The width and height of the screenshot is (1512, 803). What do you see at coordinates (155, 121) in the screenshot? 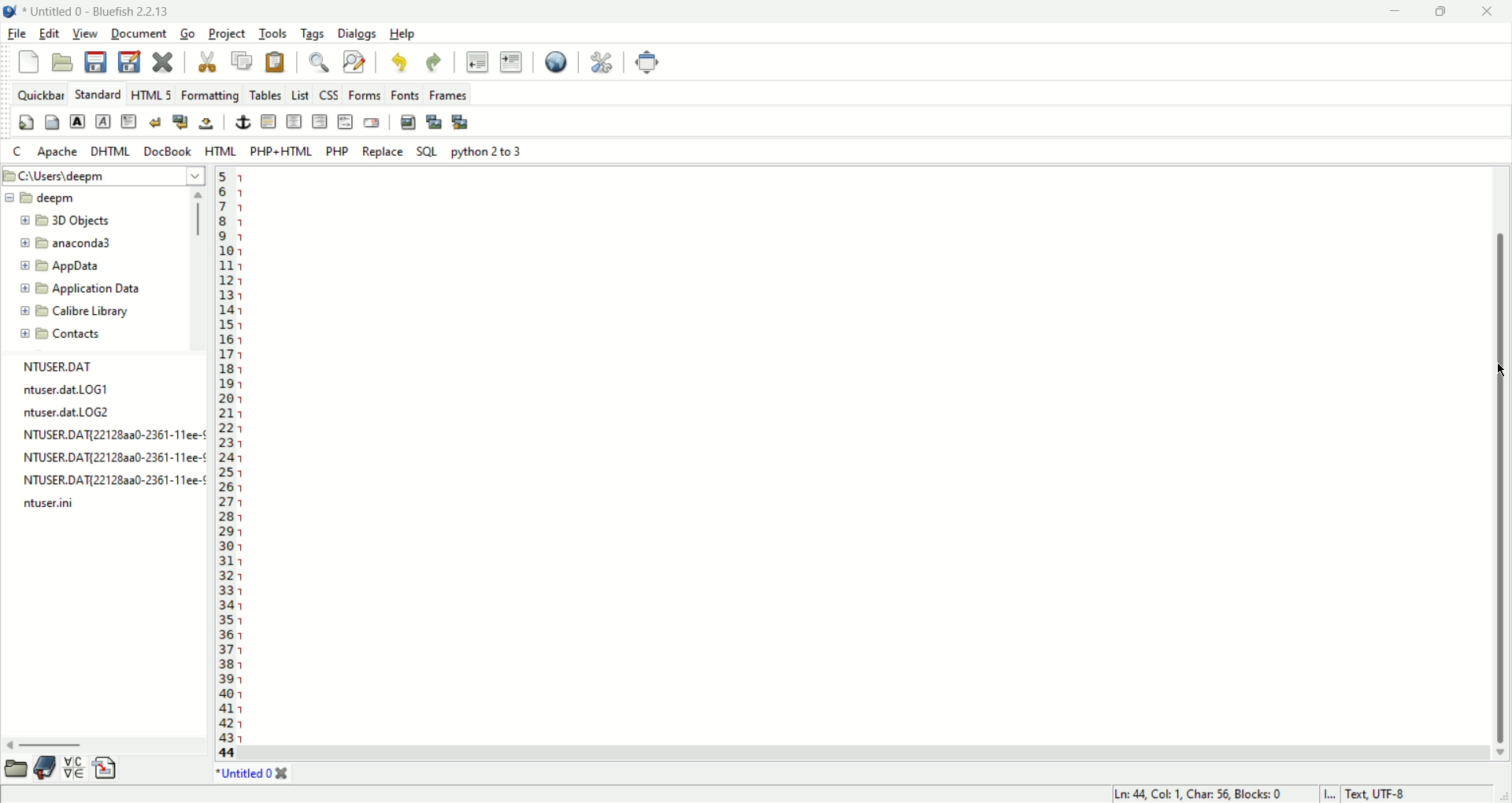
I see `break` at bounding box center [155, 121].